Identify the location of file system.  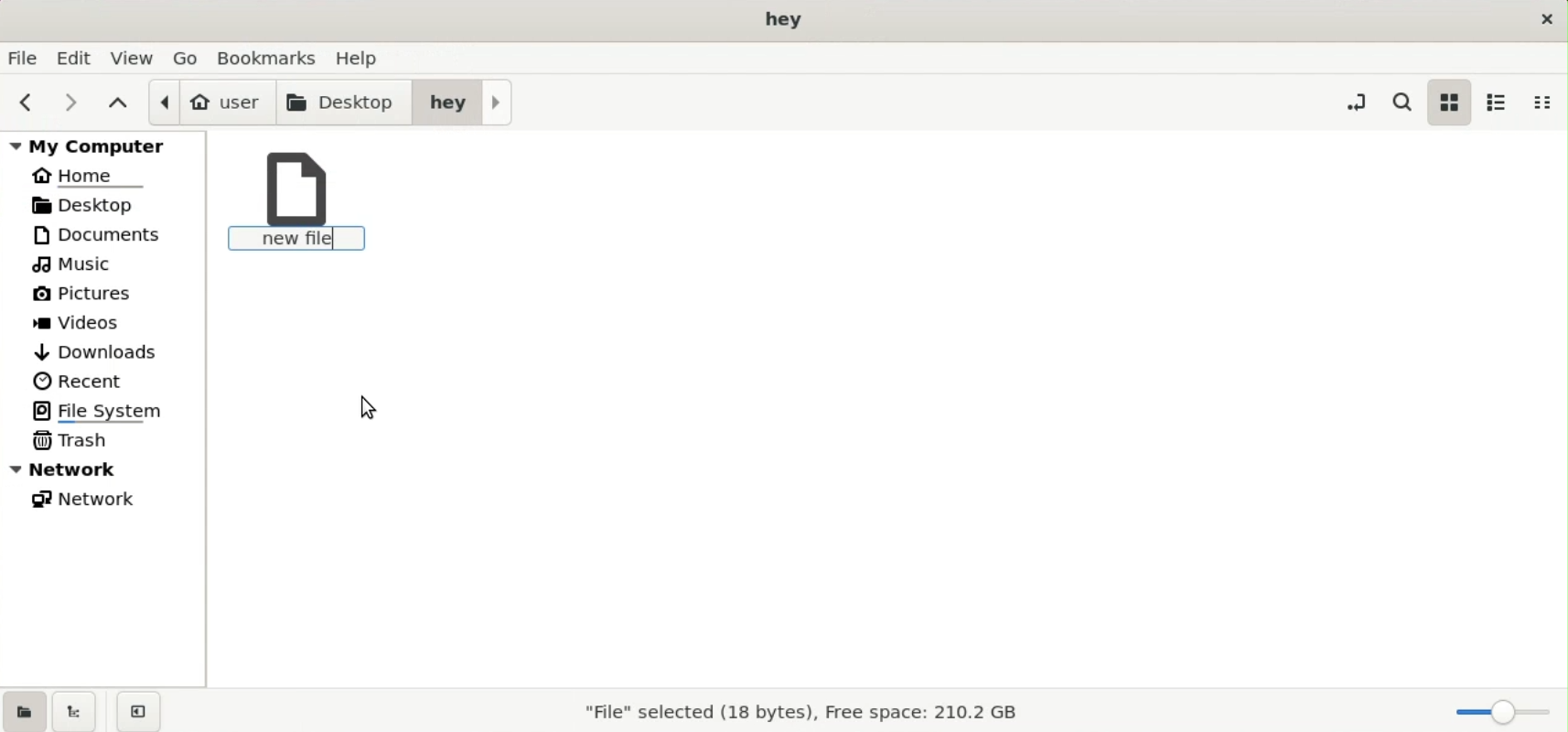
(105, 410).